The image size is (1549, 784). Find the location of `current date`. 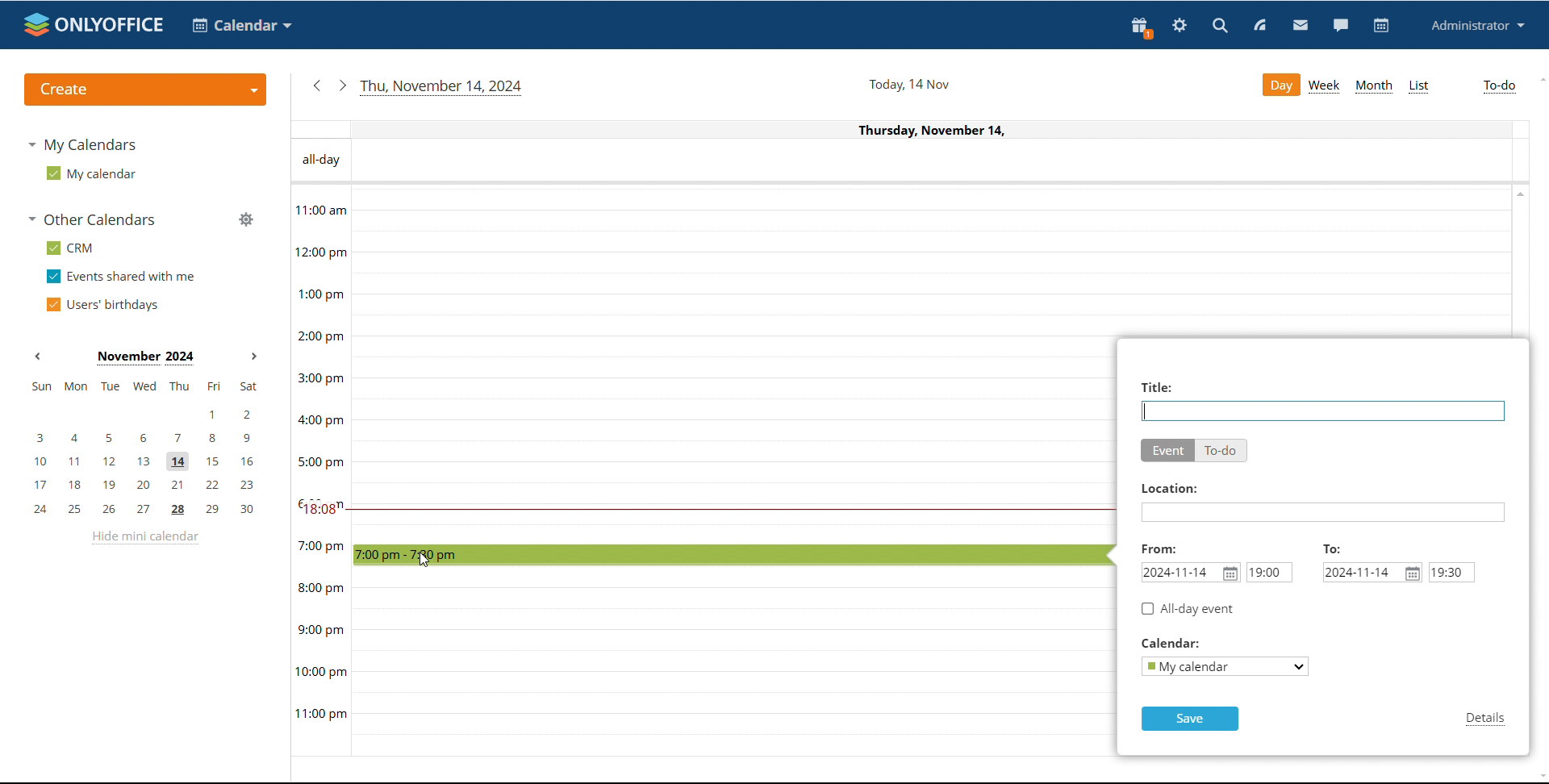

current date is located at coordinates (908, 85).